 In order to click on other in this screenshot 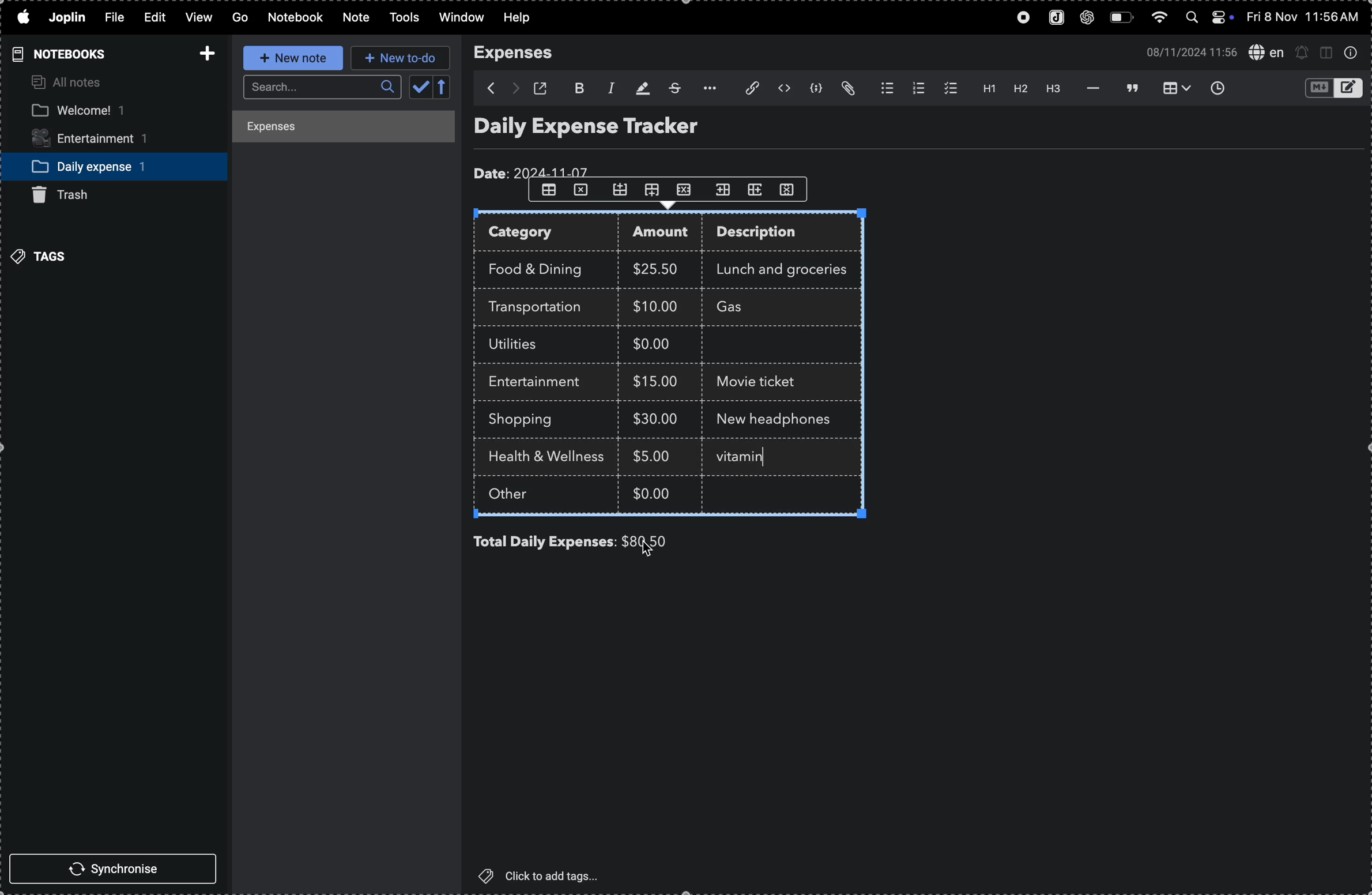, I will do `click(522, 496)`.